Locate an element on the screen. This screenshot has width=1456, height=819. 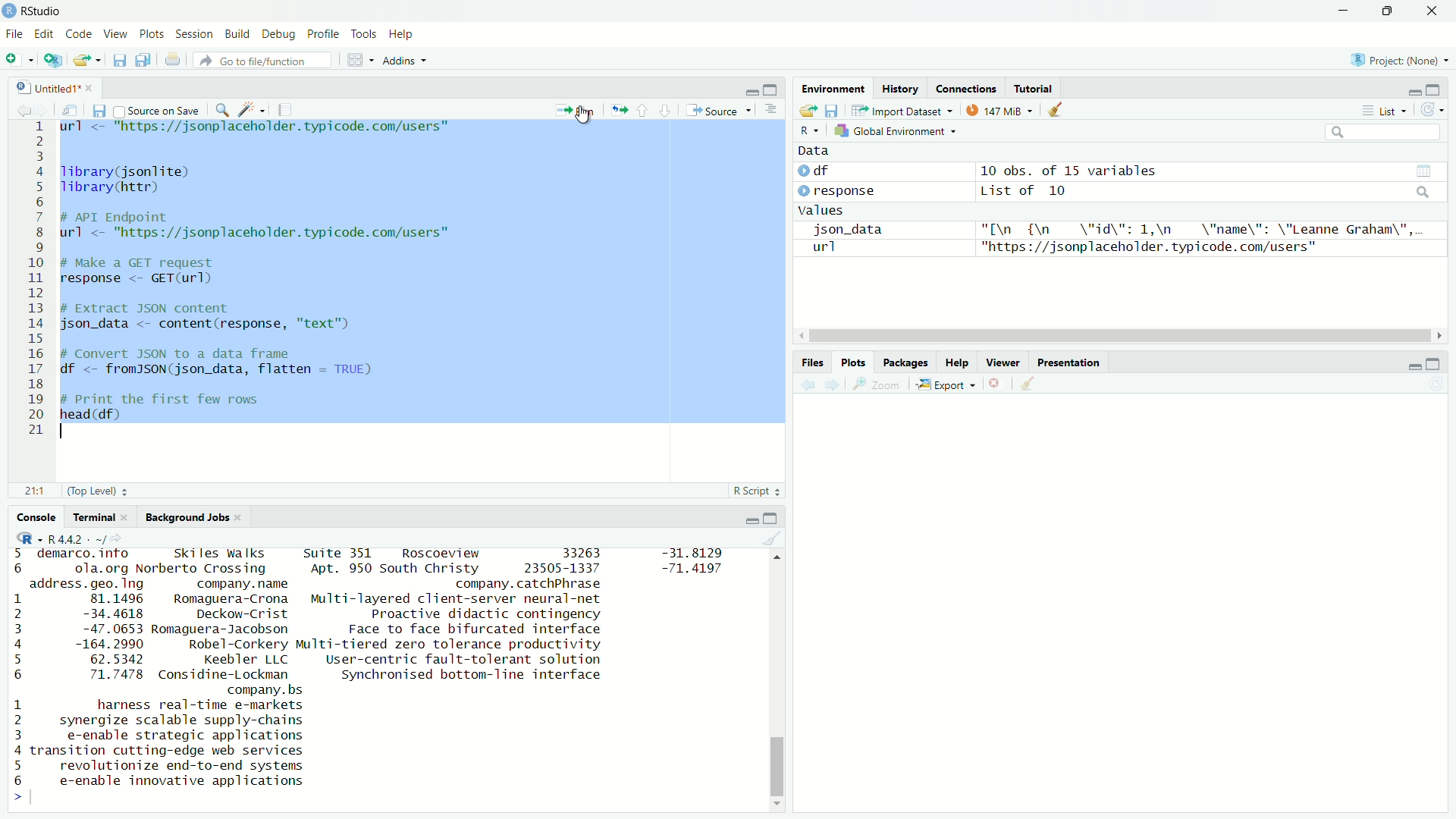
Scroll is located at coordinates (779, 681).